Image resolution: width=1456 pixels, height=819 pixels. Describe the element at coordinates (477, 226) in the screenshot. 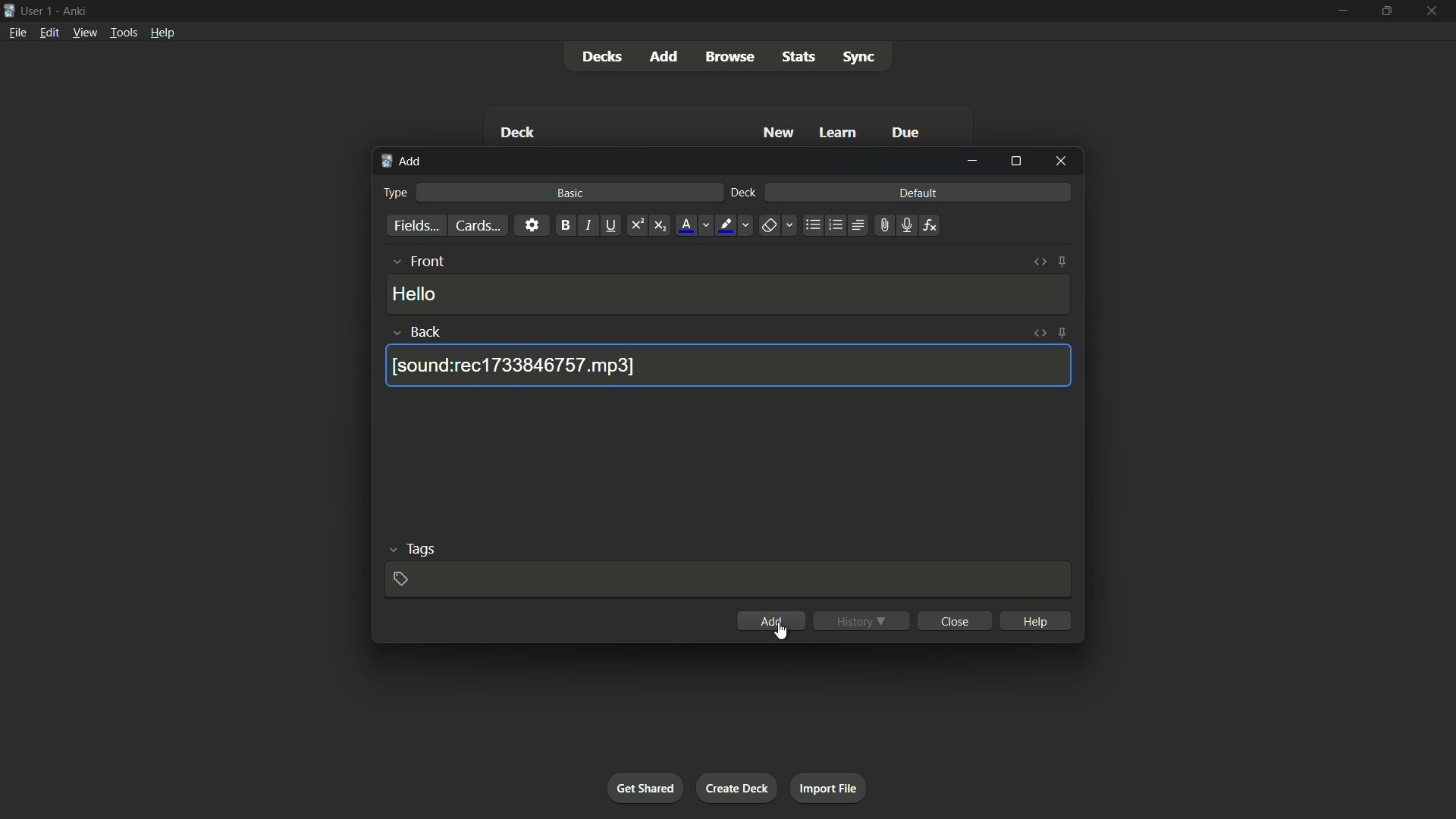

I see `cards` at that location.